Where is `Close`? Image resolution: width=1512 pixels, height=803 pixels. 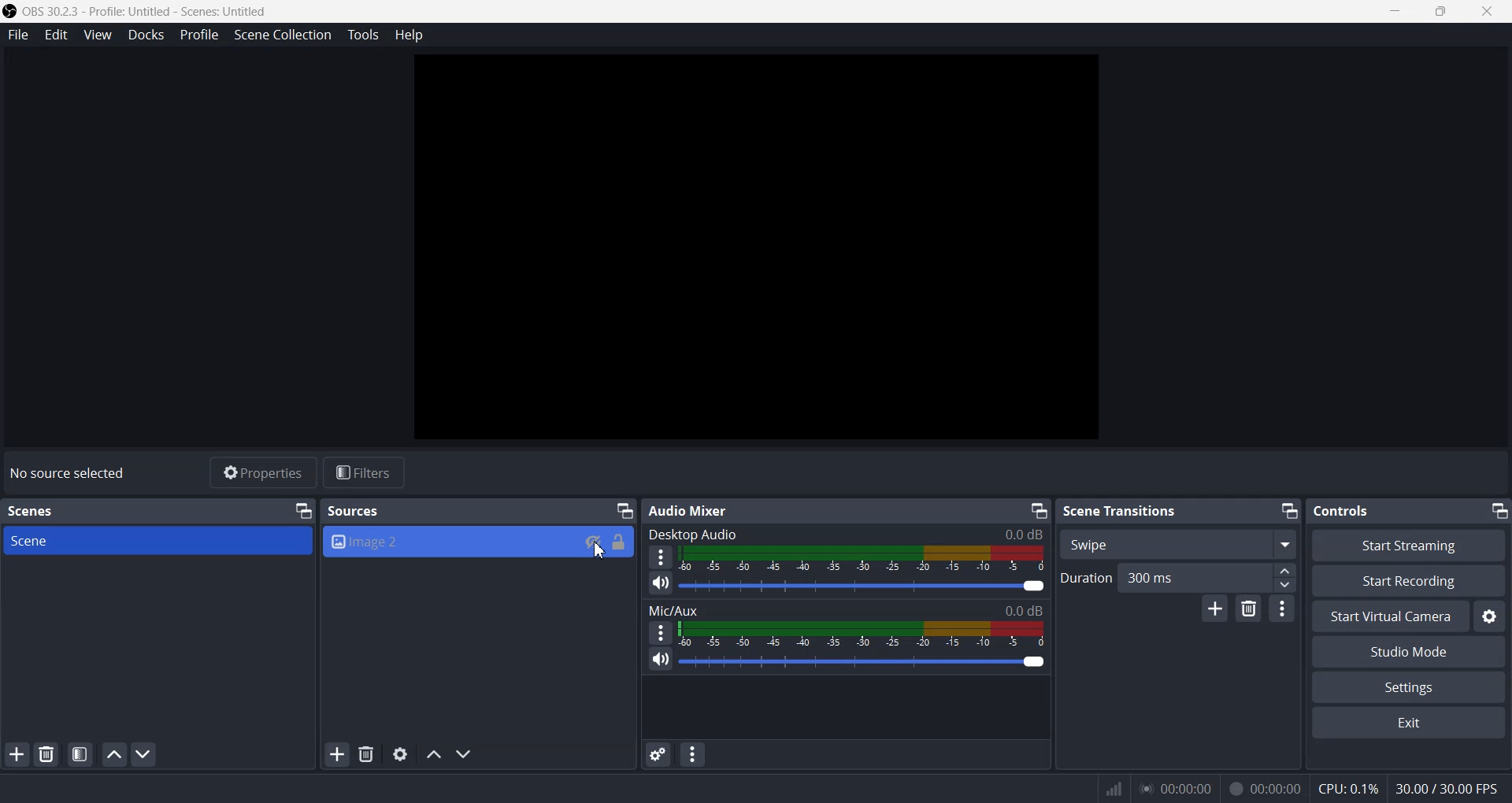 Close is located at coordinates (1489, 13).